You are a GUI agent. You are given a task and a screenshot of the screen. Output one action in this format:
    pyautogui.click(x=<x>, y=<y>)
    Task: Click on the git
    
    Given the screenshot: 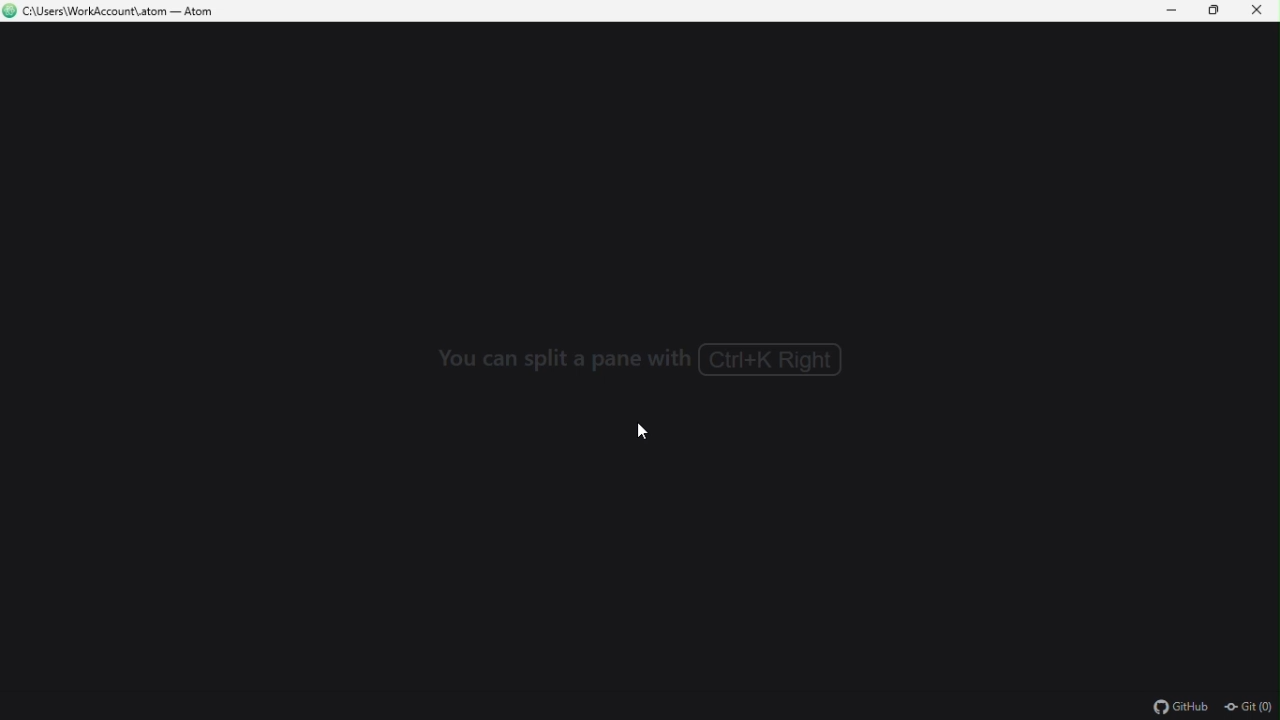 What is the action you would take?
    pyautogui.click(x=1250, y=709)
    